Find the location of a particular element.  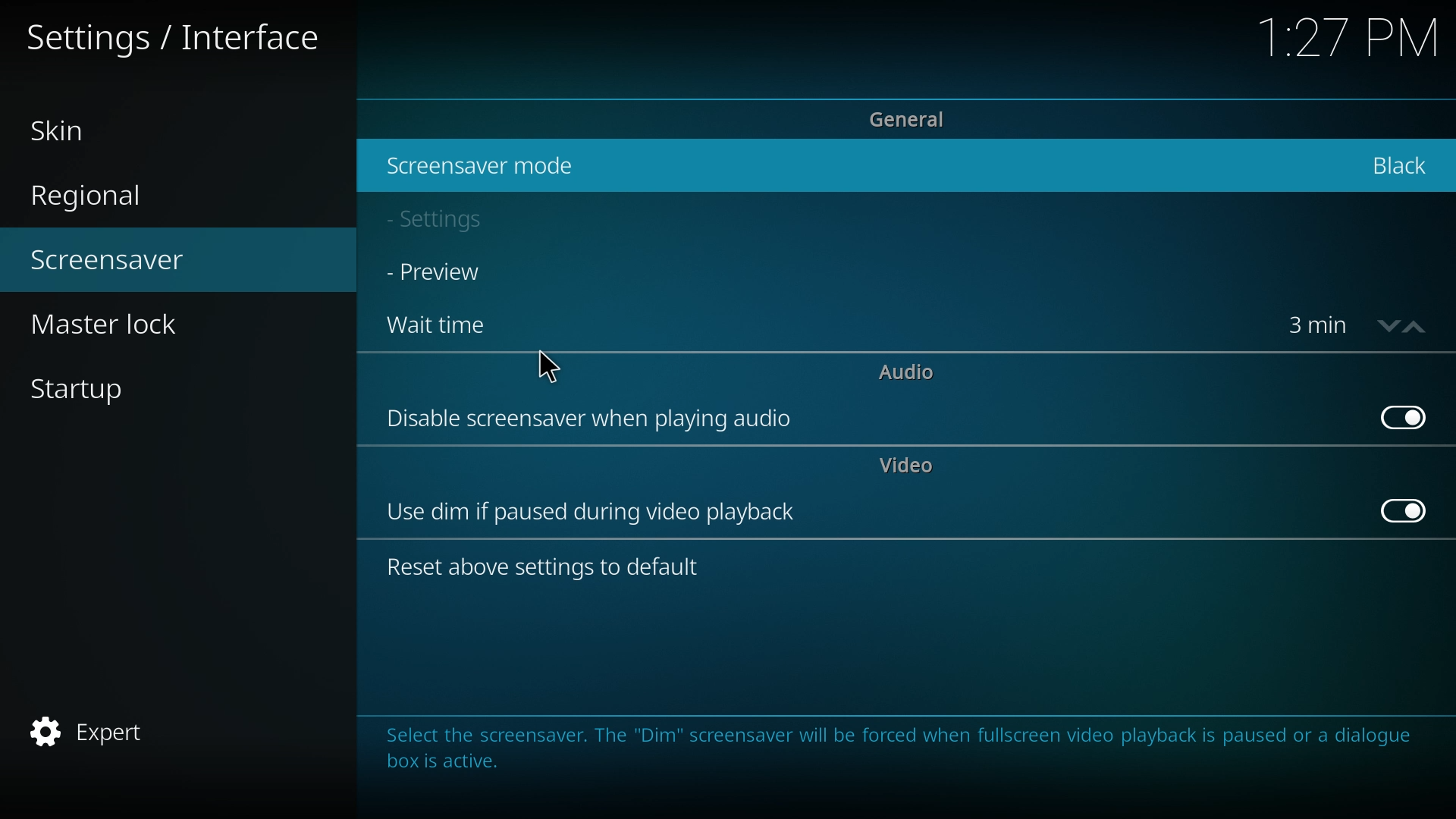

time is located at coordinates (1348, 49).